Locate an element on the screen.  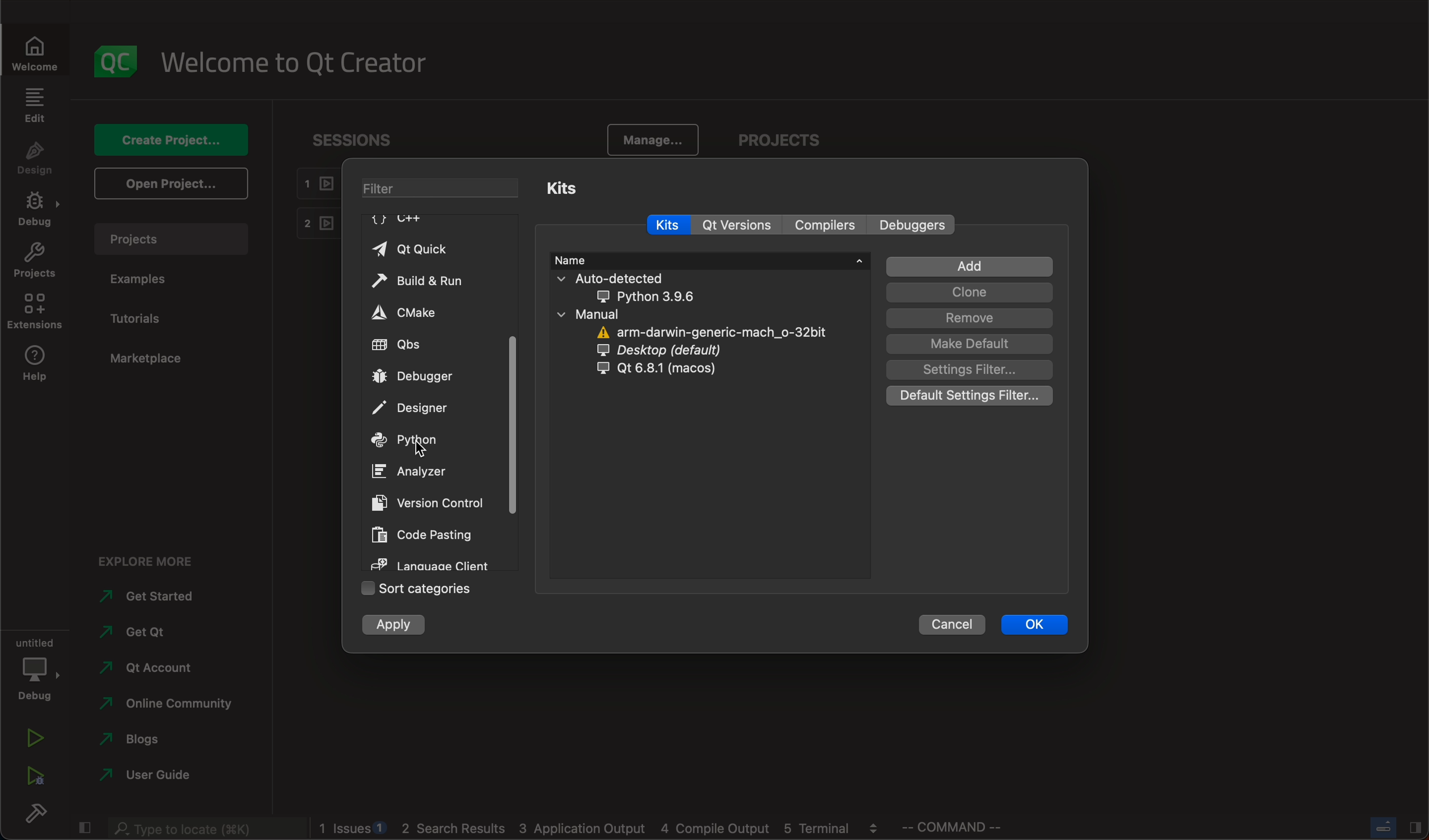
version is located at coordinates (431, 502).